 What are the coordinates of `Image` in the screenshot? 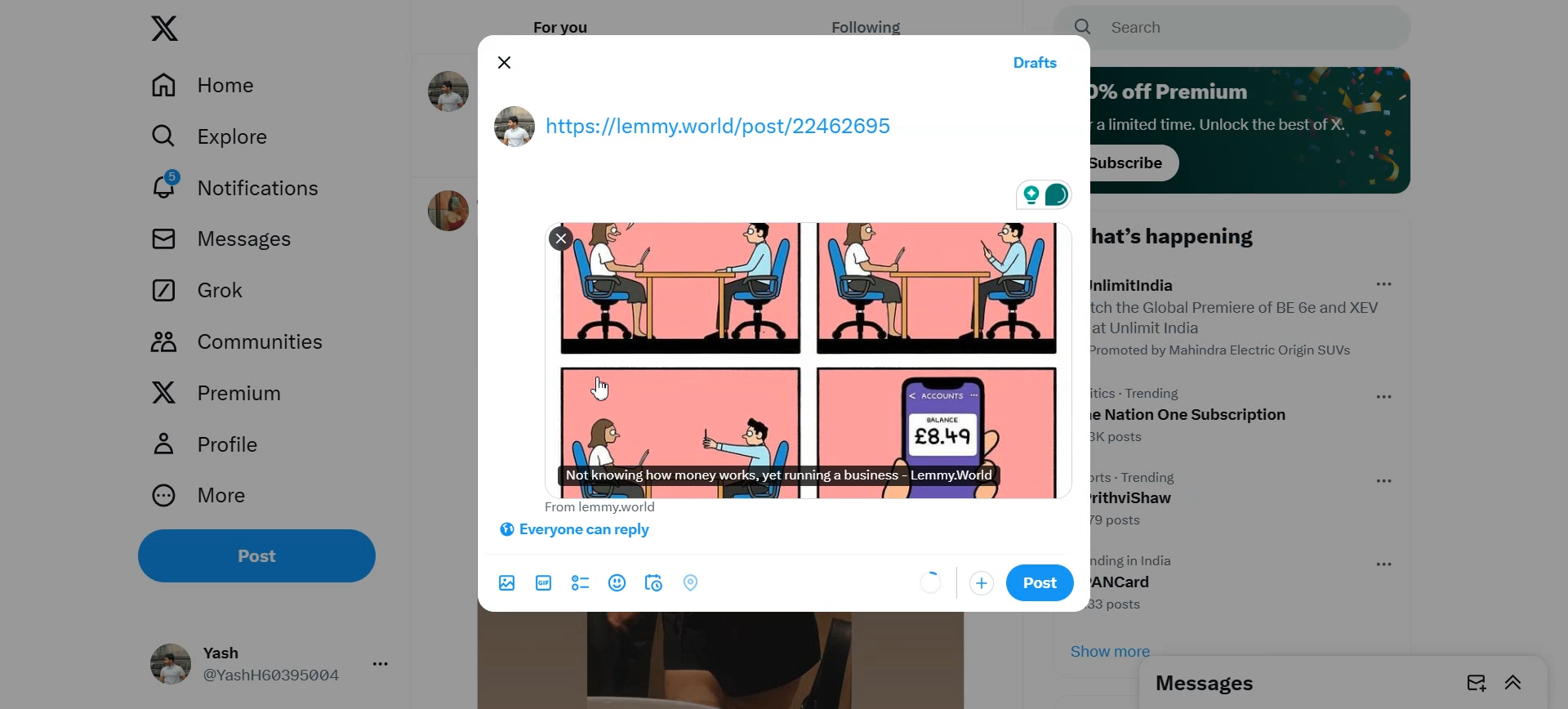 It's located at (808, 356).